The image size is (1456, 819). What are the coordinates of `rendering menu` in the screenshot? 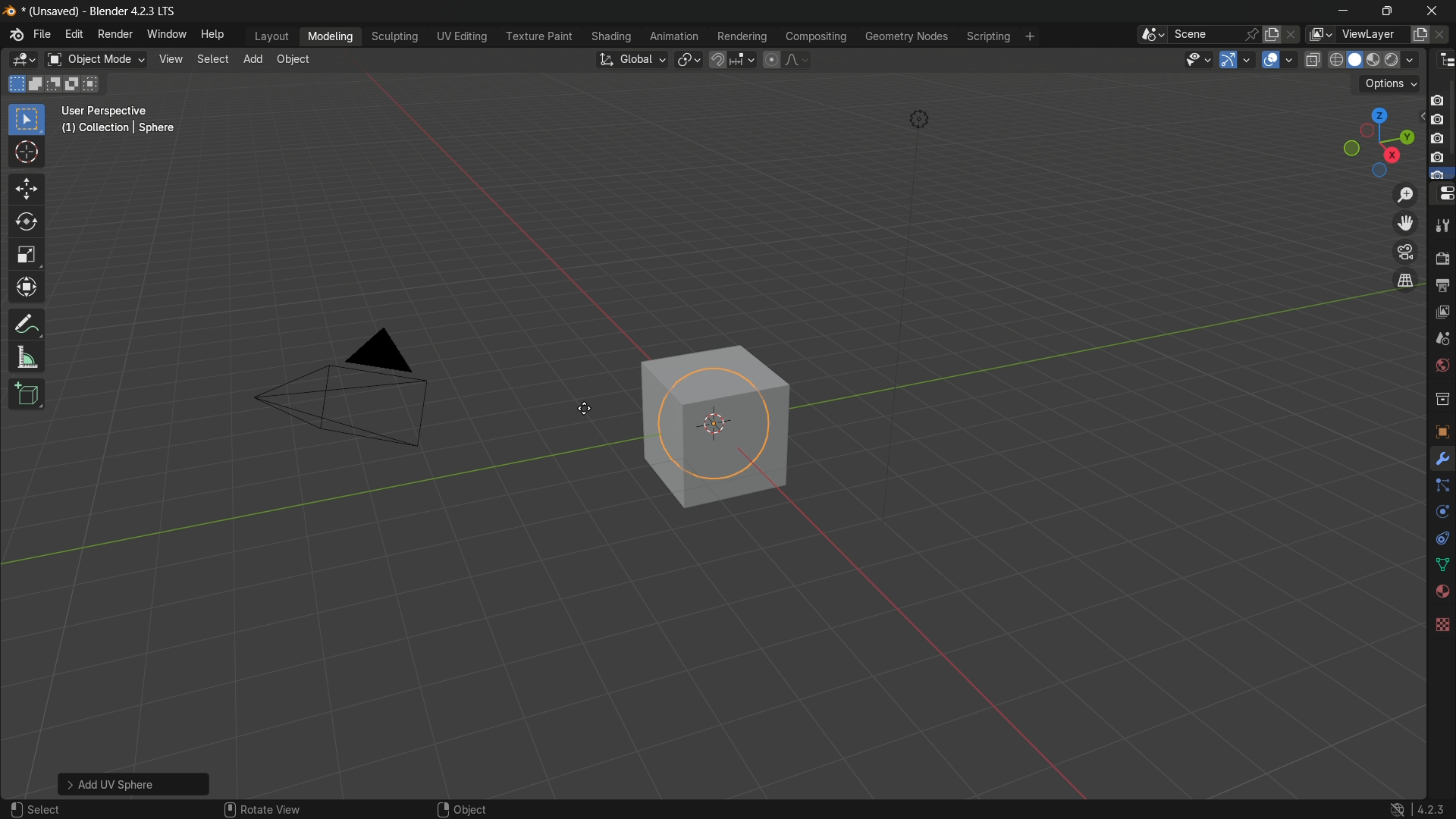 It's located at (742, 36).